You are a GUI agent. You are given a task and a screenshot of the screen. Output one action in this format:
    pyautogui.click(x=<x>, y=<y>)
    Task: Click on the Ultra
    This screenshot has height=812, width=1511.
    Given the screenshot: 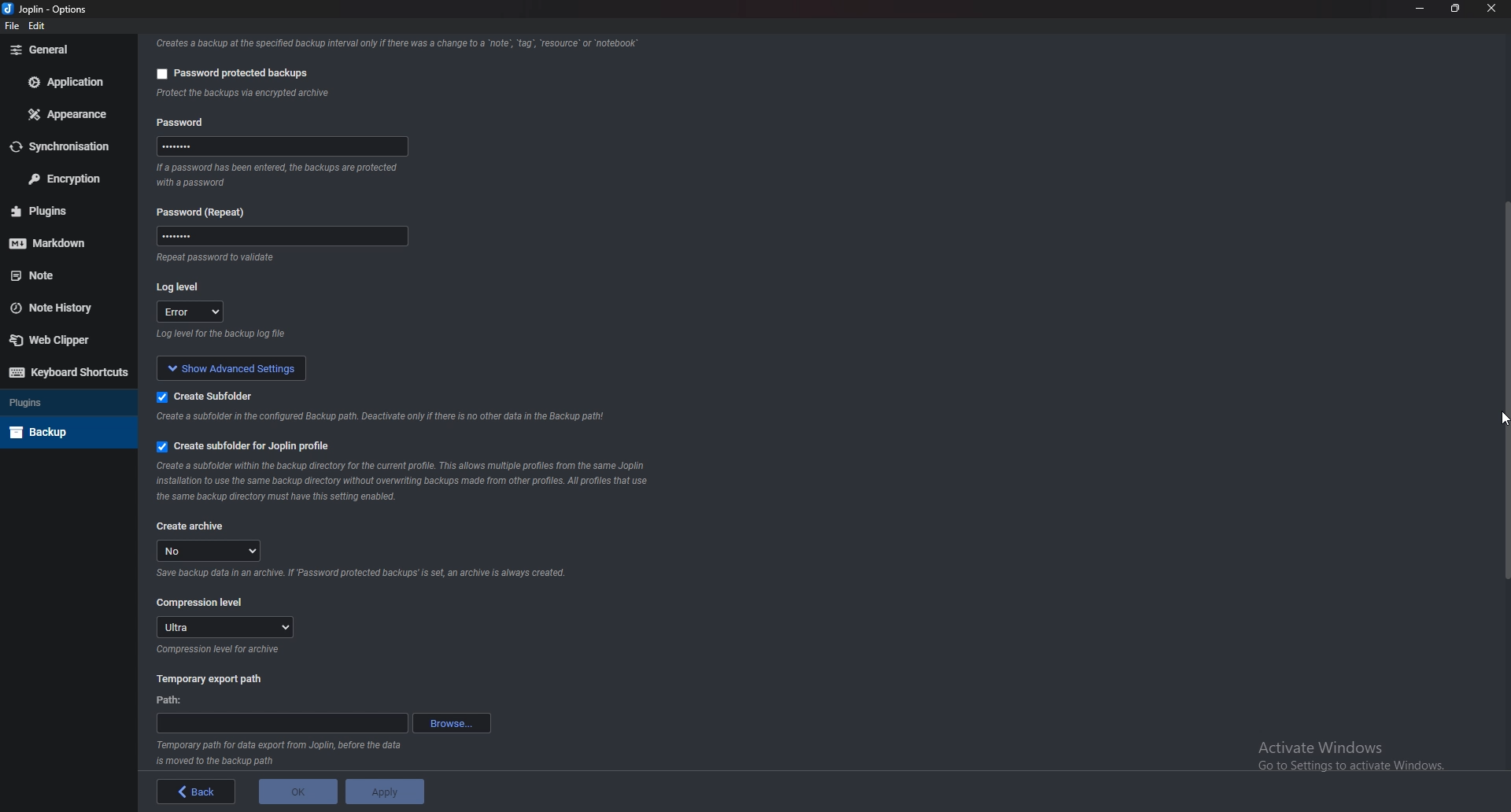 What is the action you would take?
    pyautogui.click(x=226, y=627)
    